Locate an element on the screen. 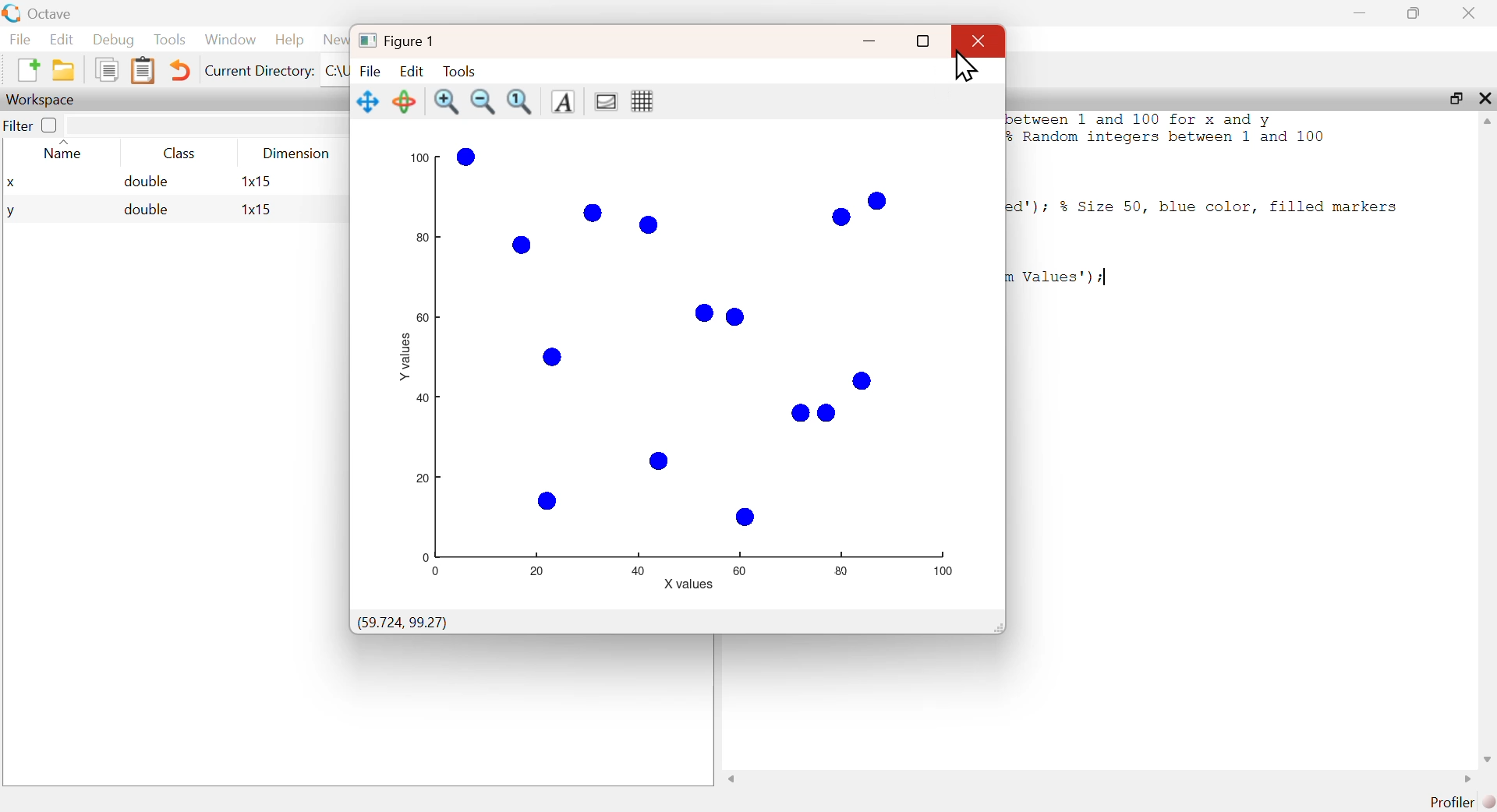 Image resolution: width=1497 pixels, height=812 pixels. scroll right is located at coordinates (1467, 779).